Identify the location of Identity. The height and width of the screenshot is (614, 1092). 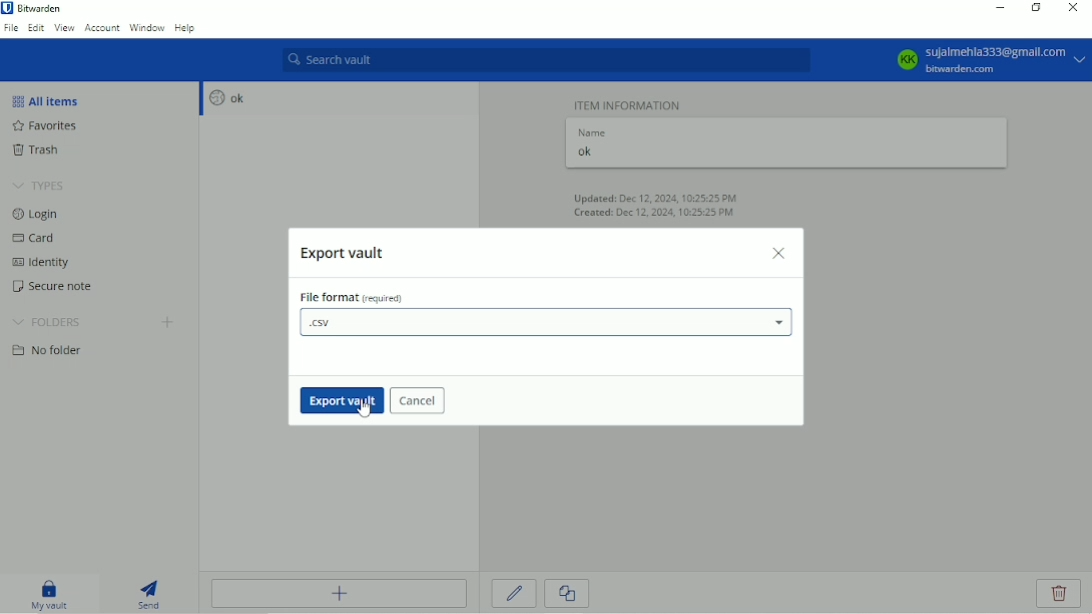
(47, 264).